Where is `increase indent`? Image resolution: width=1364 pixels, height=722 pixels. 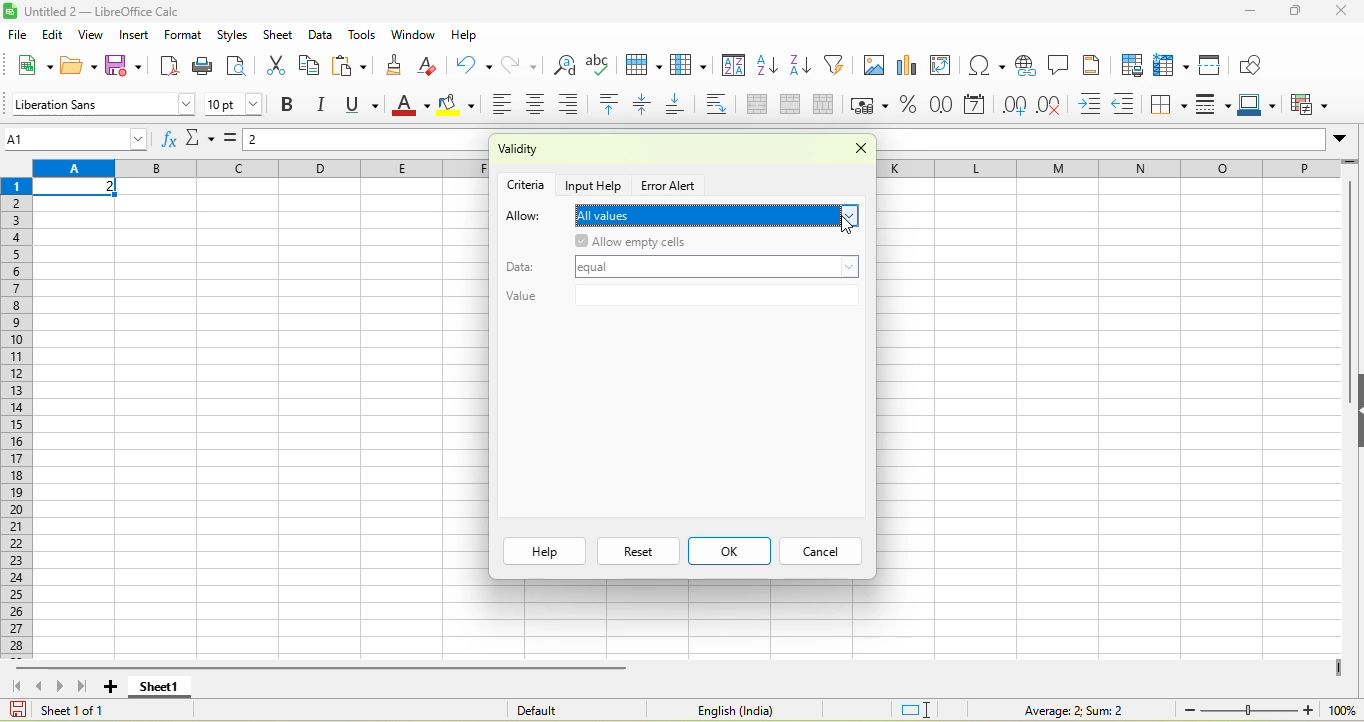 increase indent is located at coordinates (1094, 105).